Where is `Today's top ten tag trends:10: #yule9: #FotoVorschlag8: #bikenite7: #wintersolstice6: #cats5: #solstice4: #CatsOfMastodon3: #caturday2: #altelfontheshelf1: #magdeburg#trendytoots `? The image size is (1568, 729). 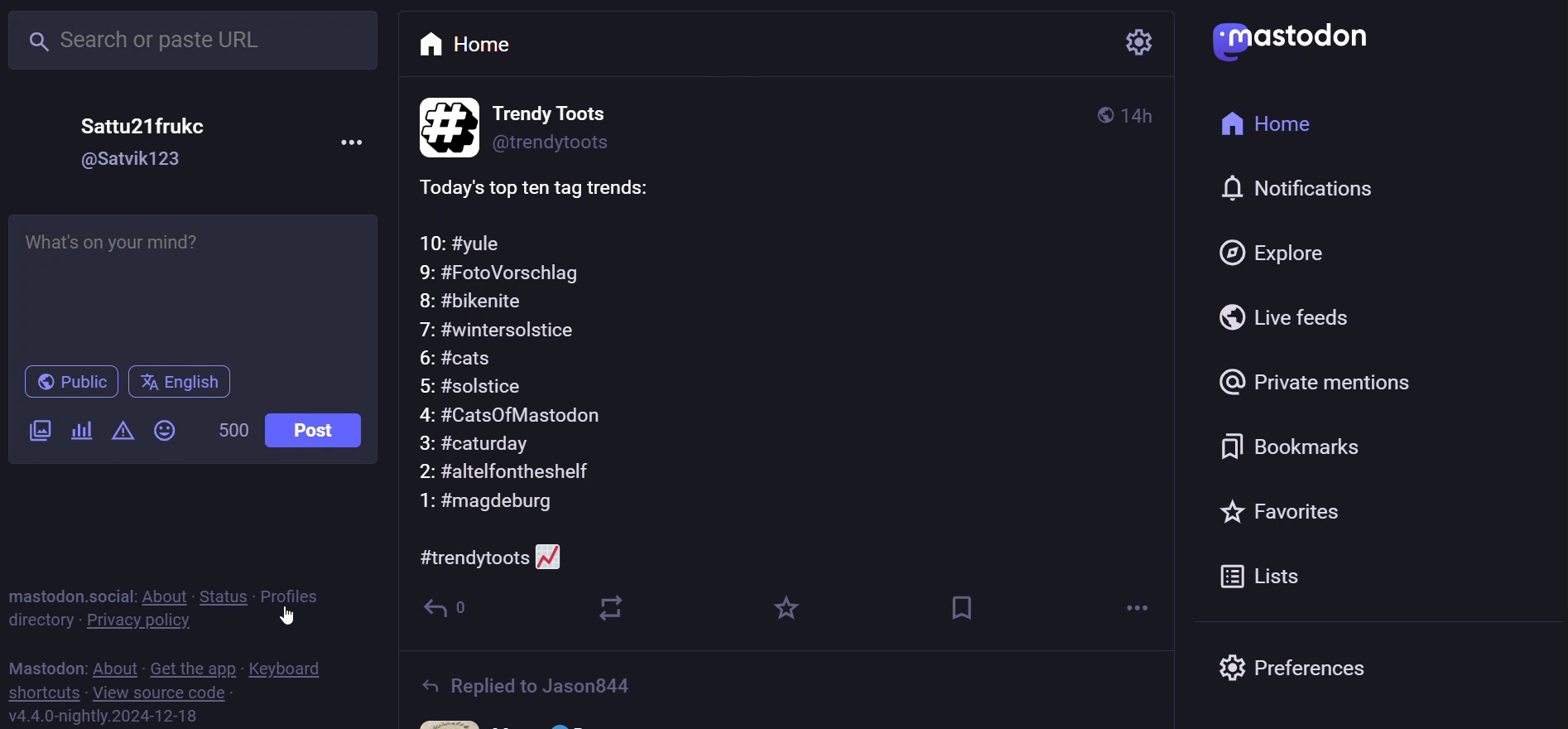
Today's top ten tag trends:10: #yule9: #FotoVorschlag8: #bikenite7: #wintersolstice6: #cats5: #solstice4: #CatsOfMastodon3: #caturday2: #altelfontheshelf1: #magdeburg#trendytoots  is located at coordinates (768, 369).